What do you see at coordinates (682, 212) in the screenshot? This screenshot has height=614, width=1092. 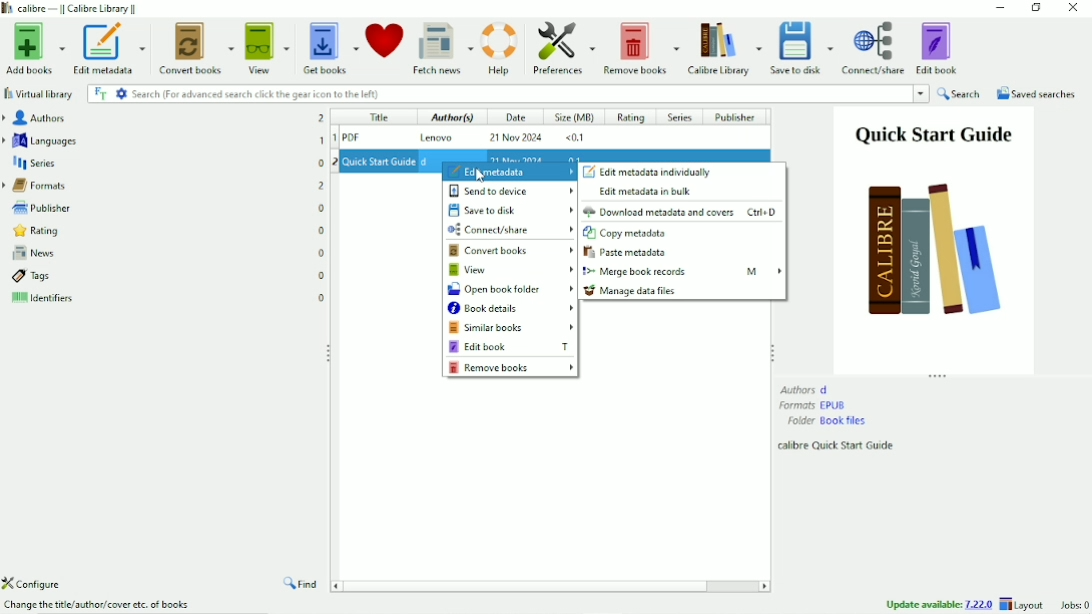 I see `Download metadata and covers` at bounding box center [682, 212].